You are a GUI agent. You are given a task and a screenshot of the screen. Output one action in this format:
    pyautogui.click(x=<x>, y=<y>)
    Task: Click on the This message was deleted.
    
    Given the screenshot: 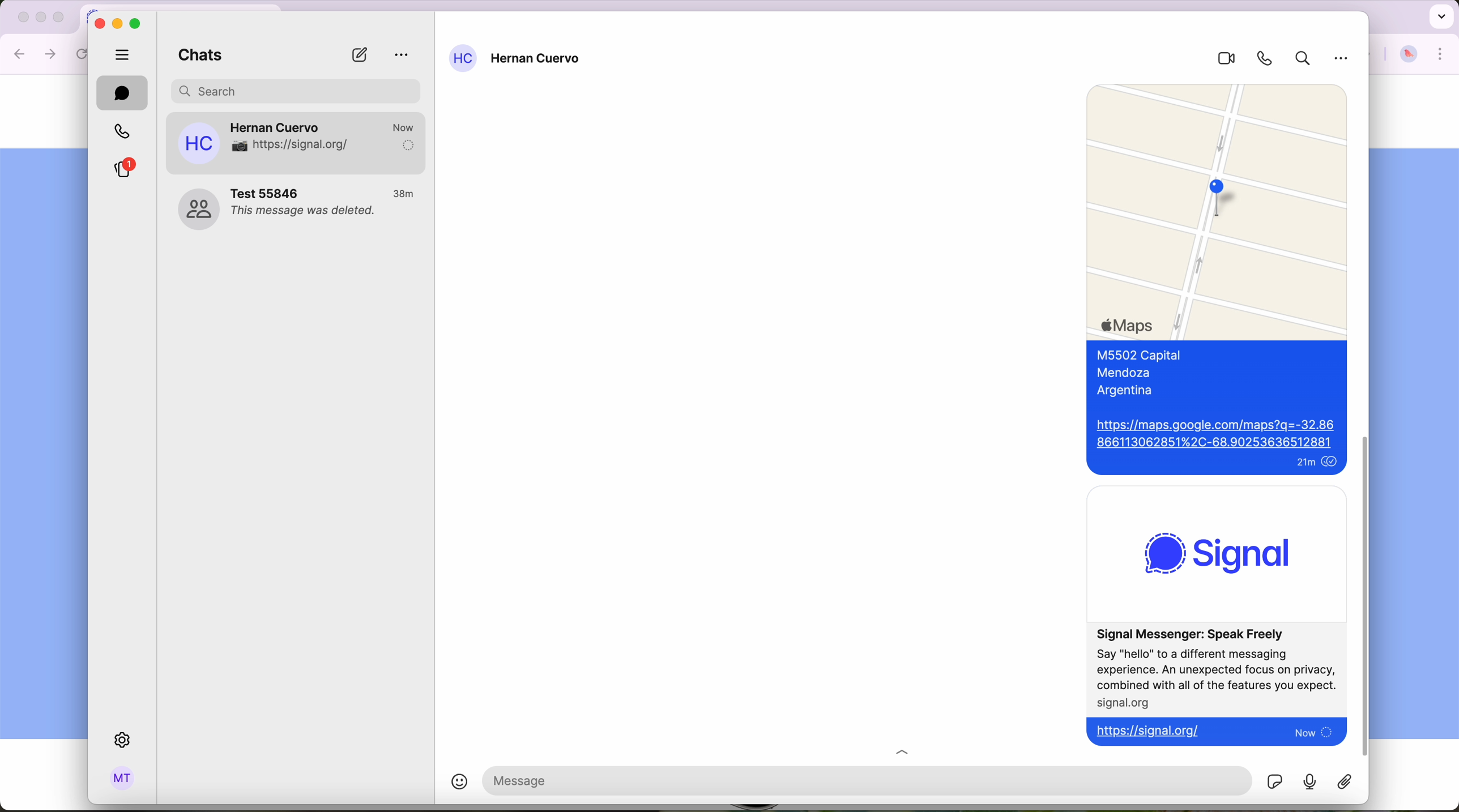 What is the action you would take?
    pyautogui.click(x=305, y=213)
    